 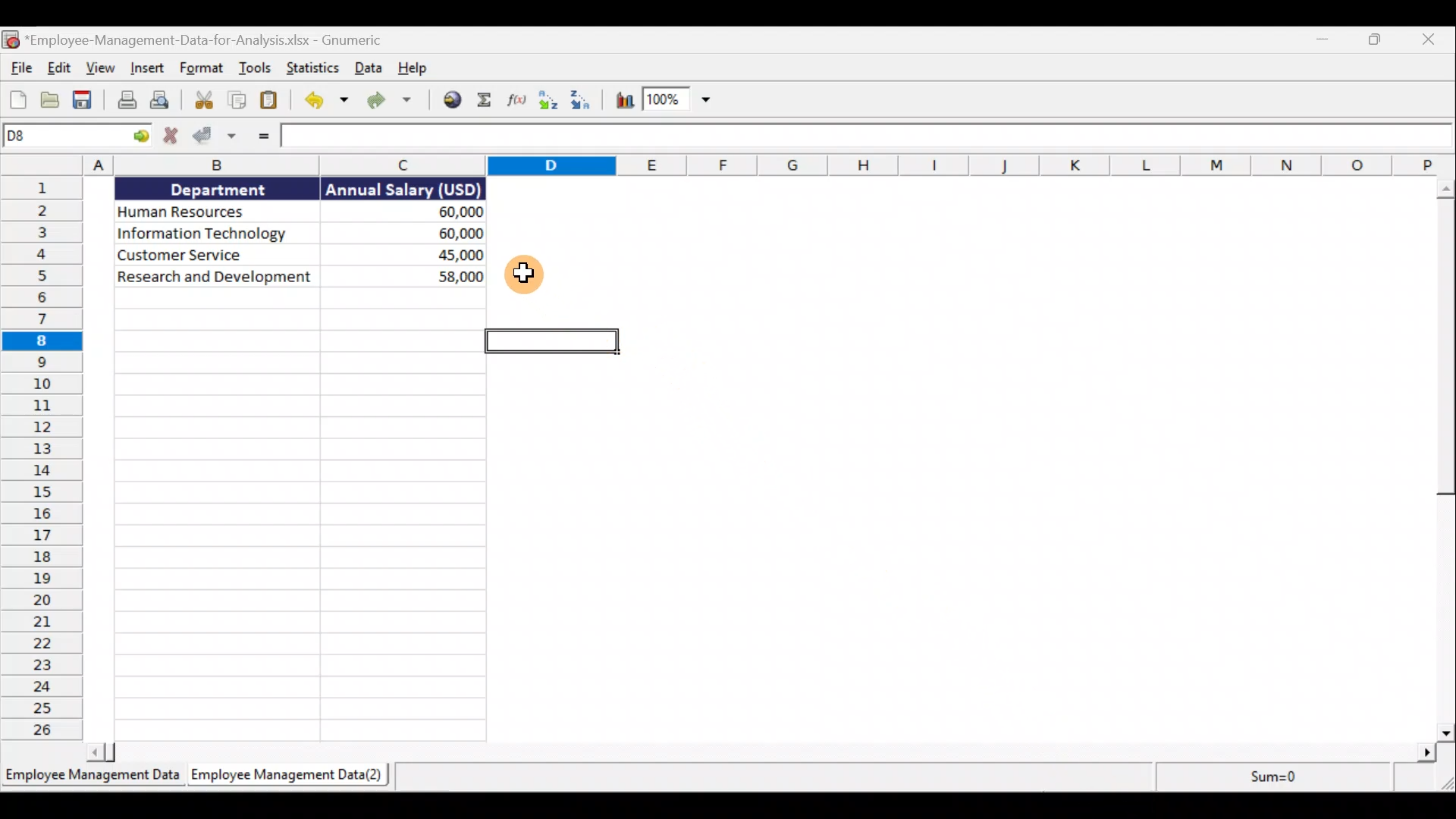 What do you see at coordinates (261, 139) in the screenshot?
I see `Enter formula` at bounding box center [261, 139].